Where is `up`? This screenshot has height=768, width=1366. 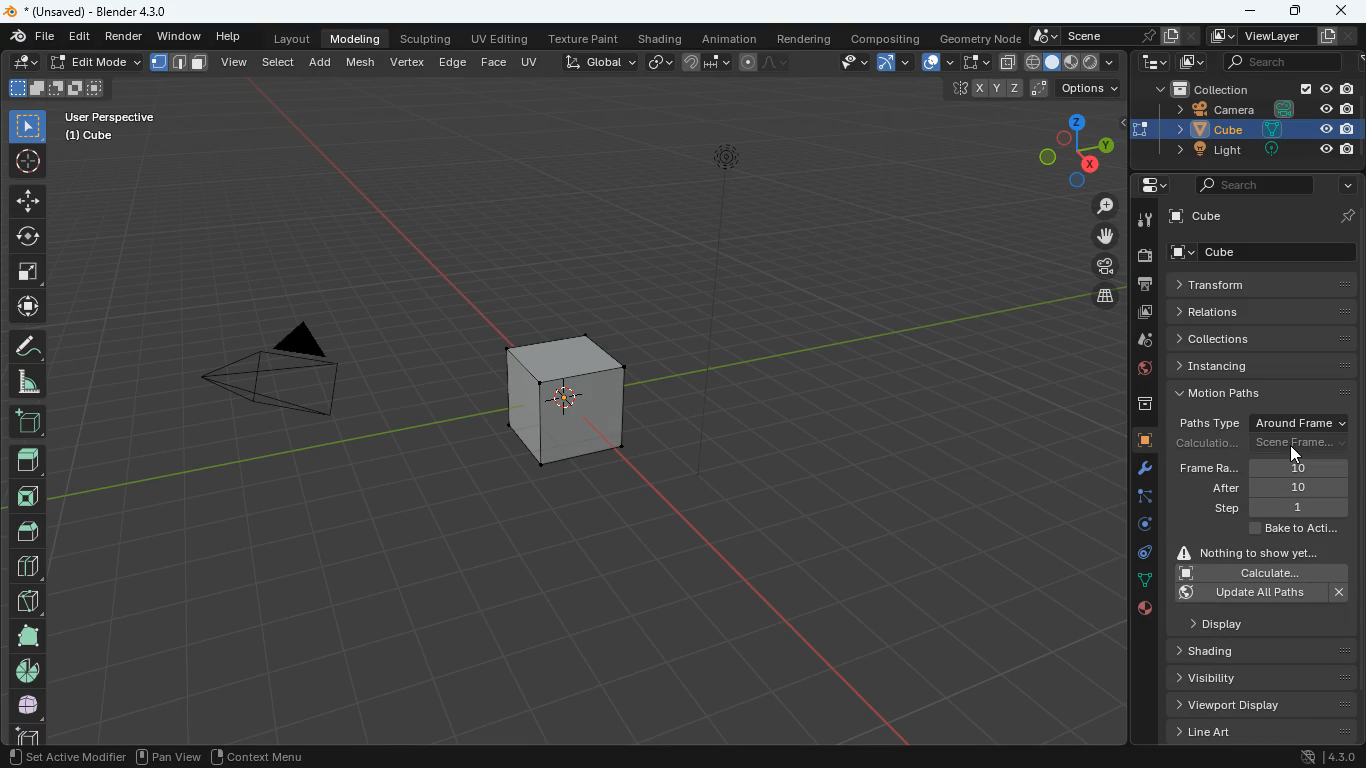
up is located at coordinates (27, 454).